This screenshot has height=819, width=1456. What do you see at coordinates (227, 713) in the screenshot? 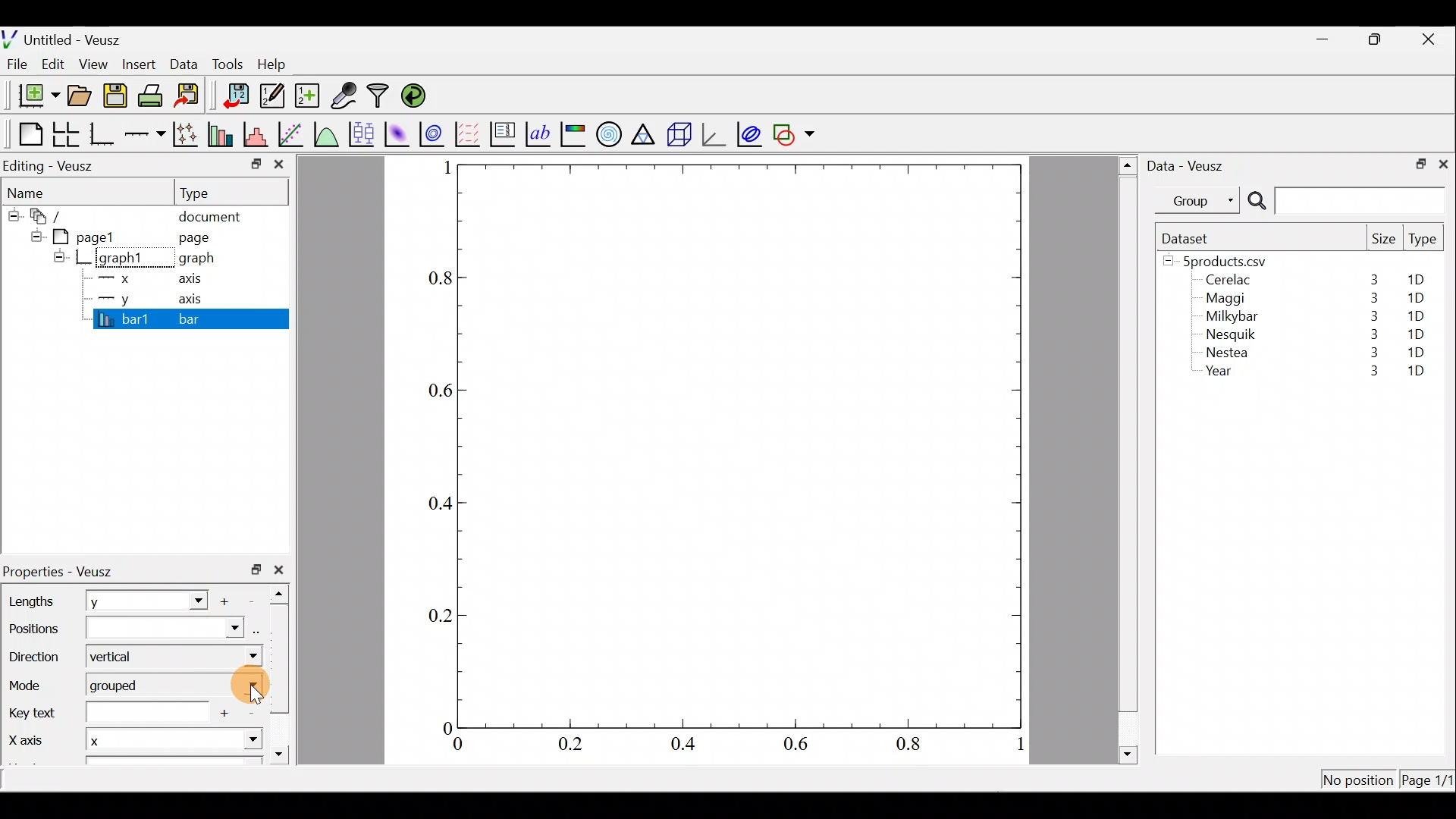
I see `add another item` at bounding box center [227, 713].